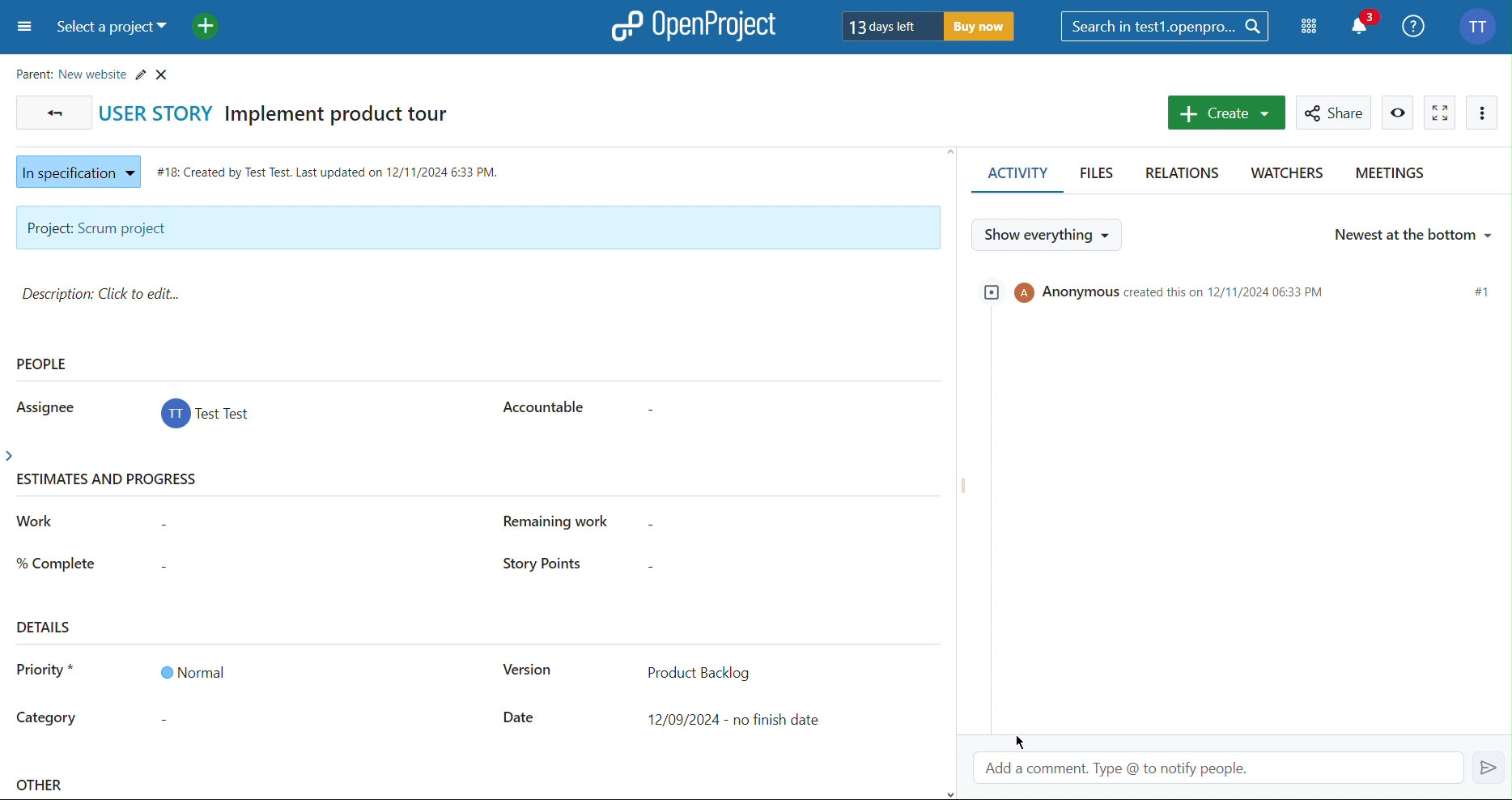 Image resolution: width=1512 pixels, height=800 pixels. I want to click on In specification, so click(74, 169).